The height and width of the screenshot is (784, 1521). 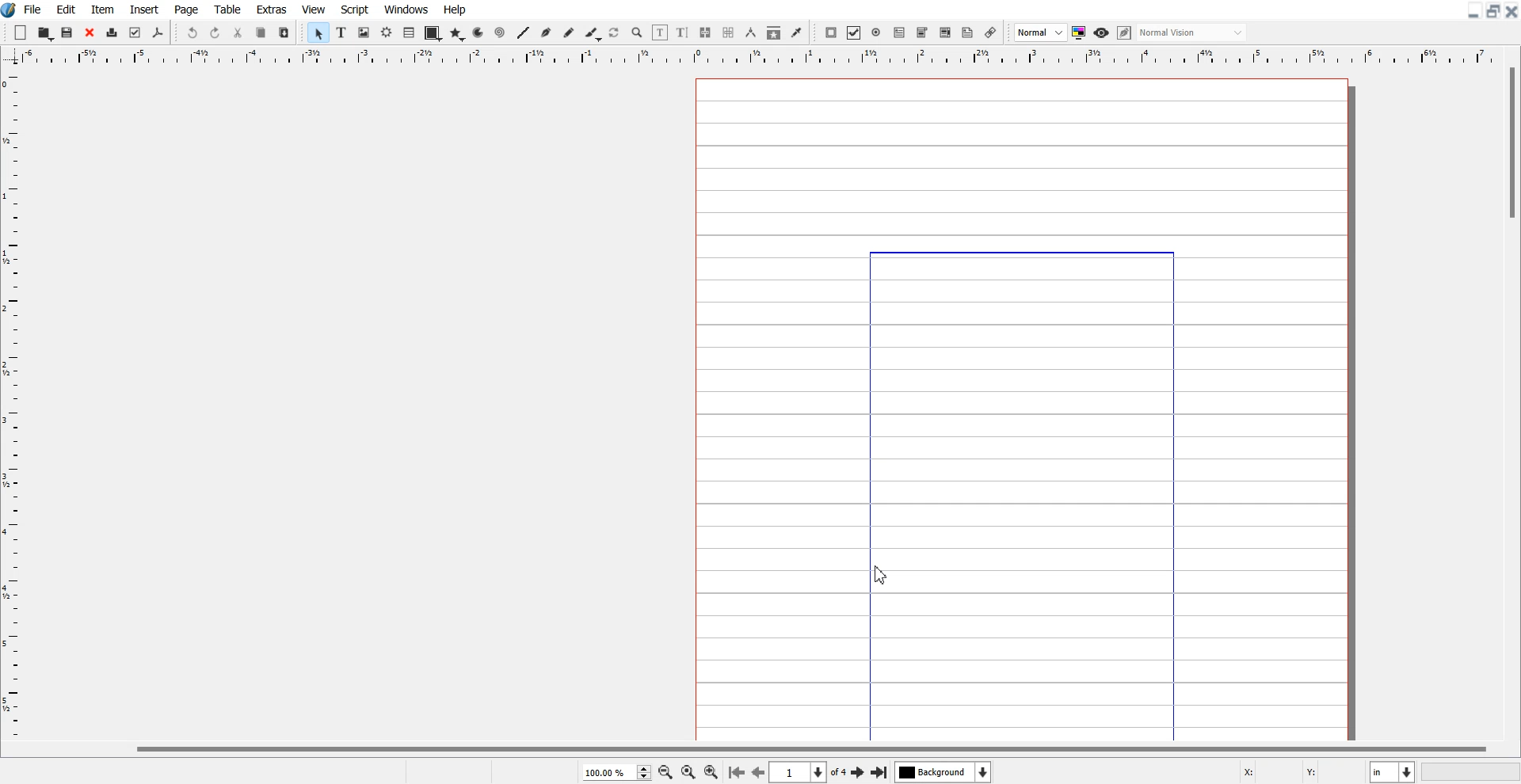 What do you see at coordinates (193, 32) in the screenshot?
I see `Undo` at bounding box center [193, 32].